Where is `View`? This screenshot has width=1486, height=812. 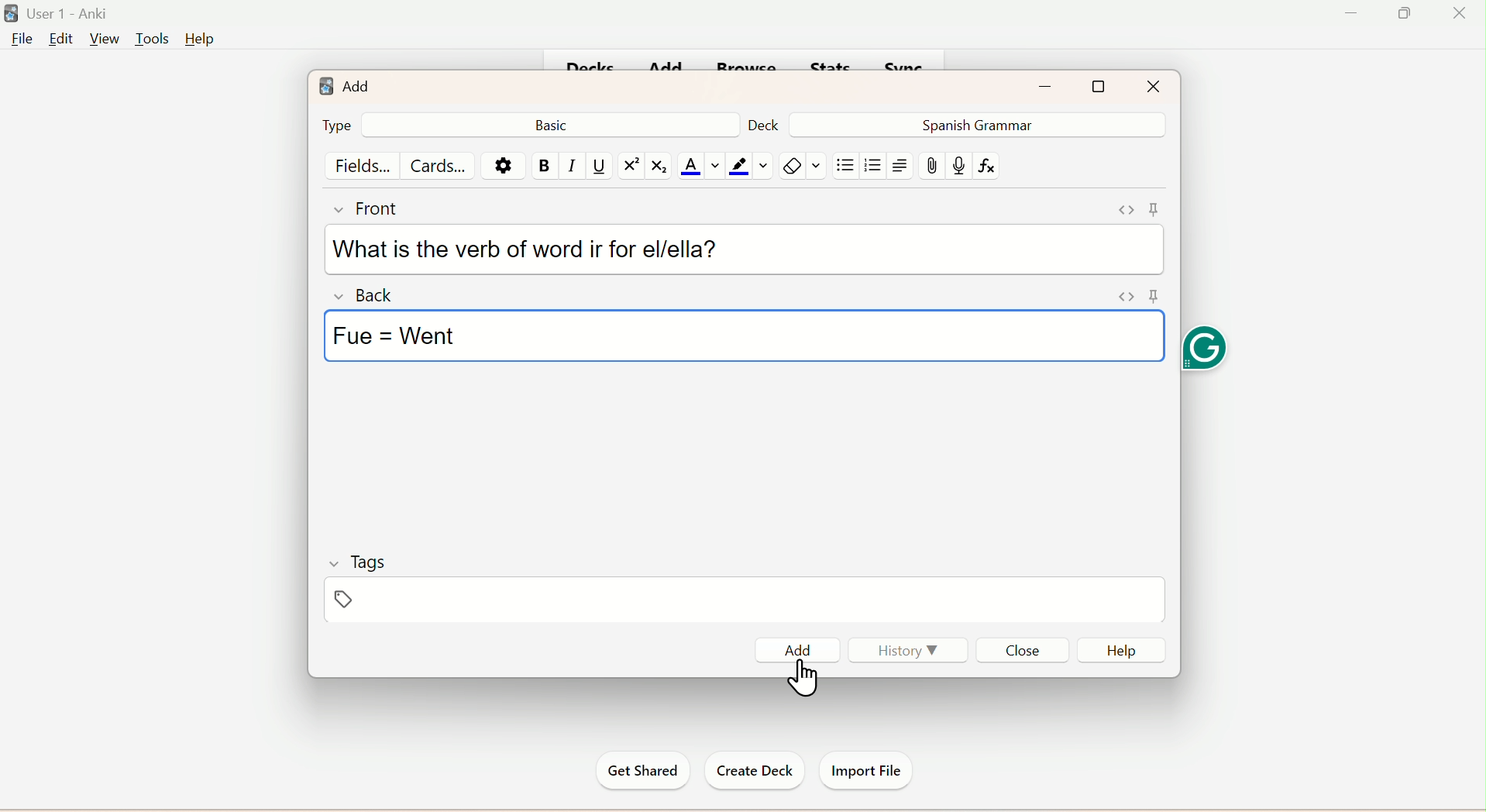 View is located at coordinates (102, 39).